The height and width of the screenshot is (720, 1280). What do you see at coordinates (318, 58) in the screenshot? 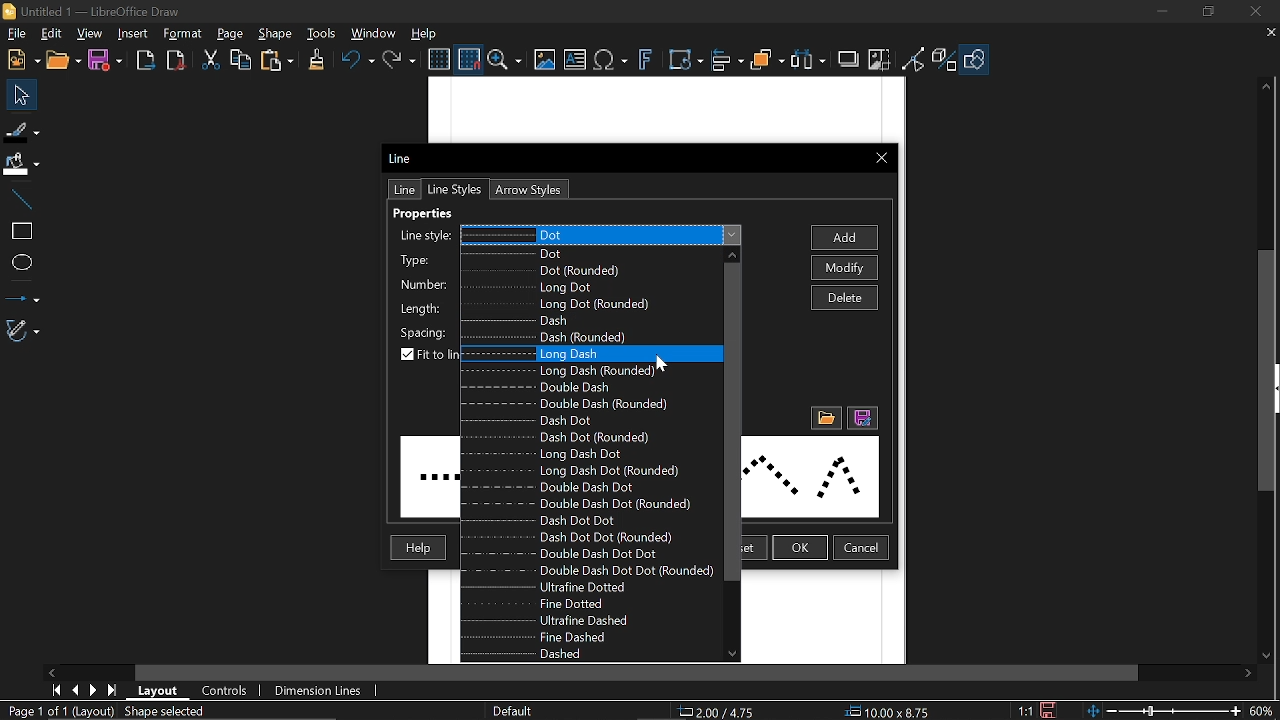
I see `CLone` at bounding box center [318, 58].